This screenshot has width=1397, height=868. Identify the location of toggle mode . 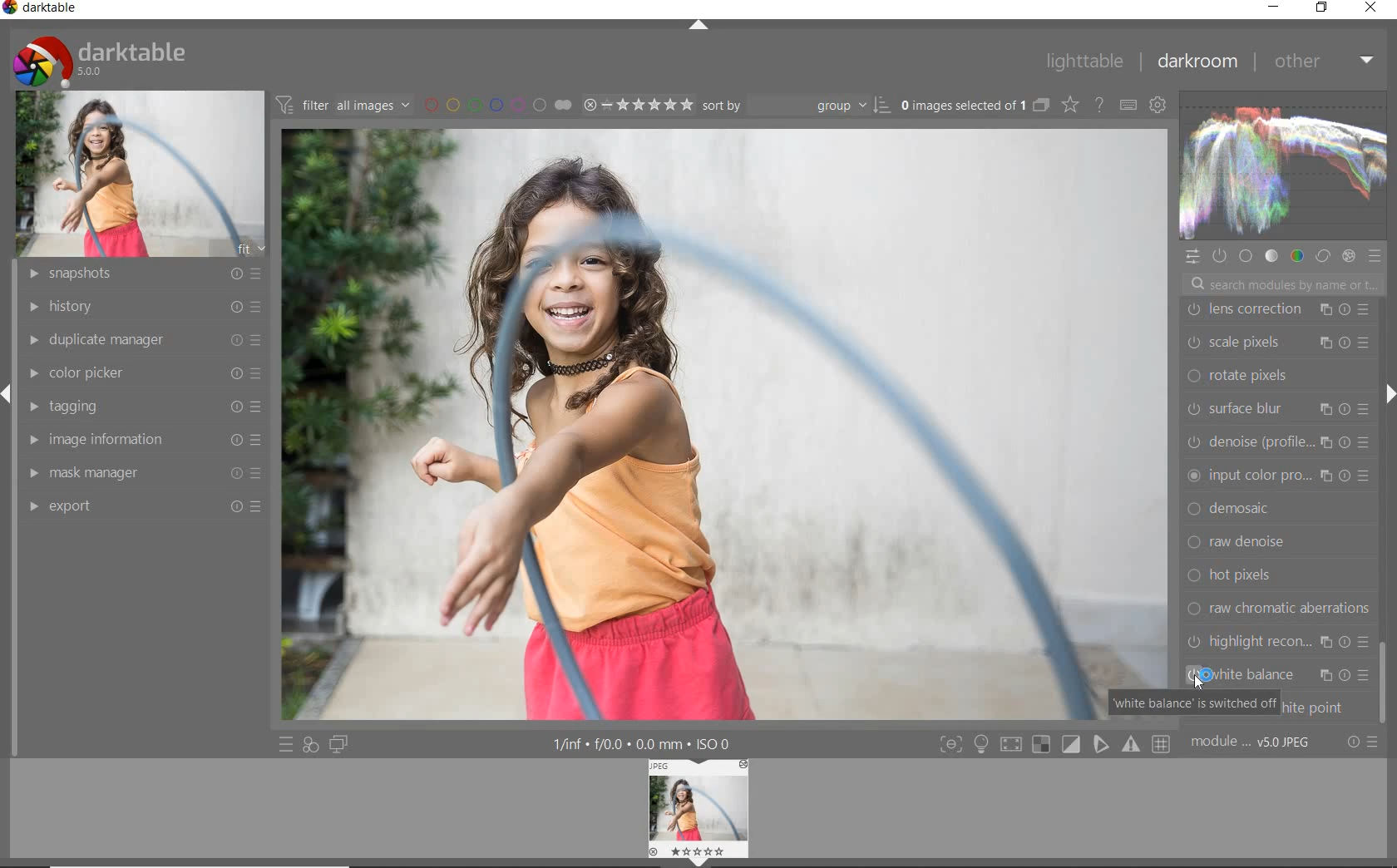
(1071, 744).